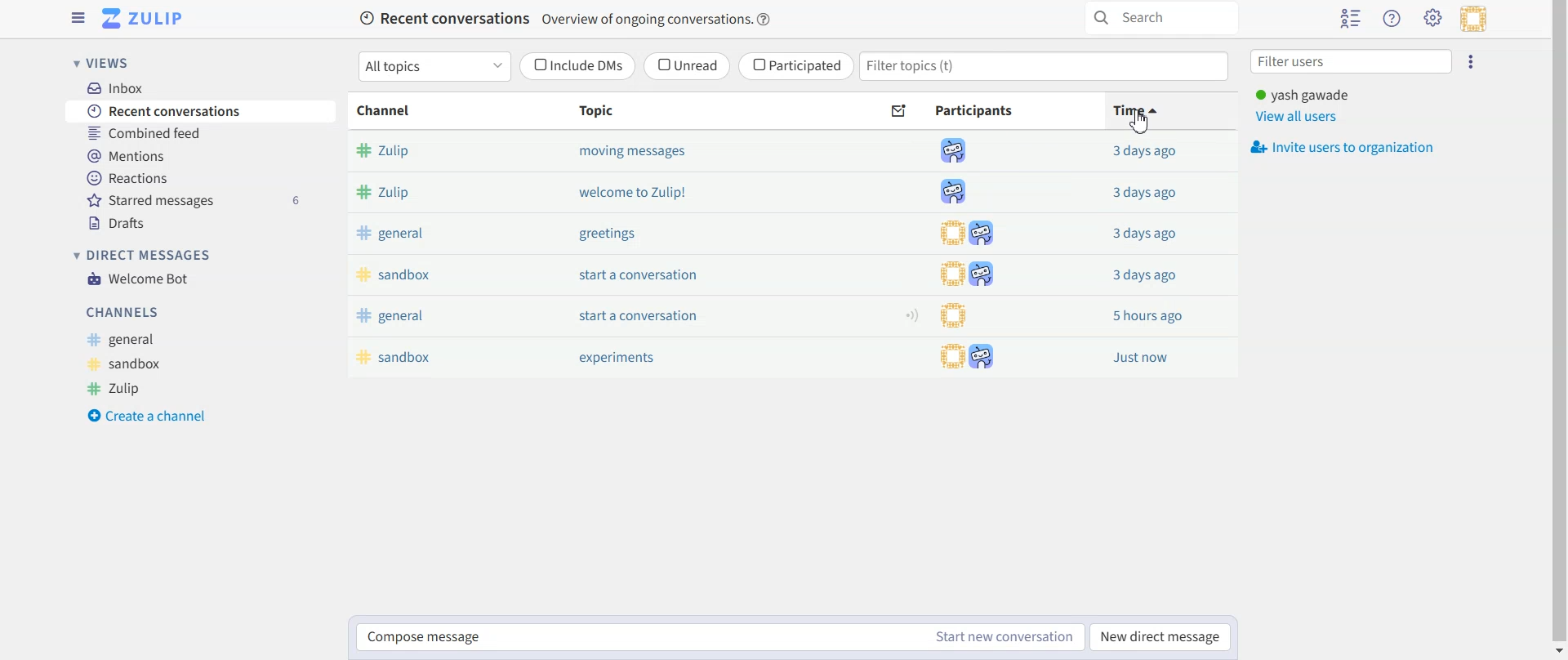 This screenshot has width=1568, height=660. Describe the element at coordinates (118, 389) in the screenshot. I see `Zulip` at that location.